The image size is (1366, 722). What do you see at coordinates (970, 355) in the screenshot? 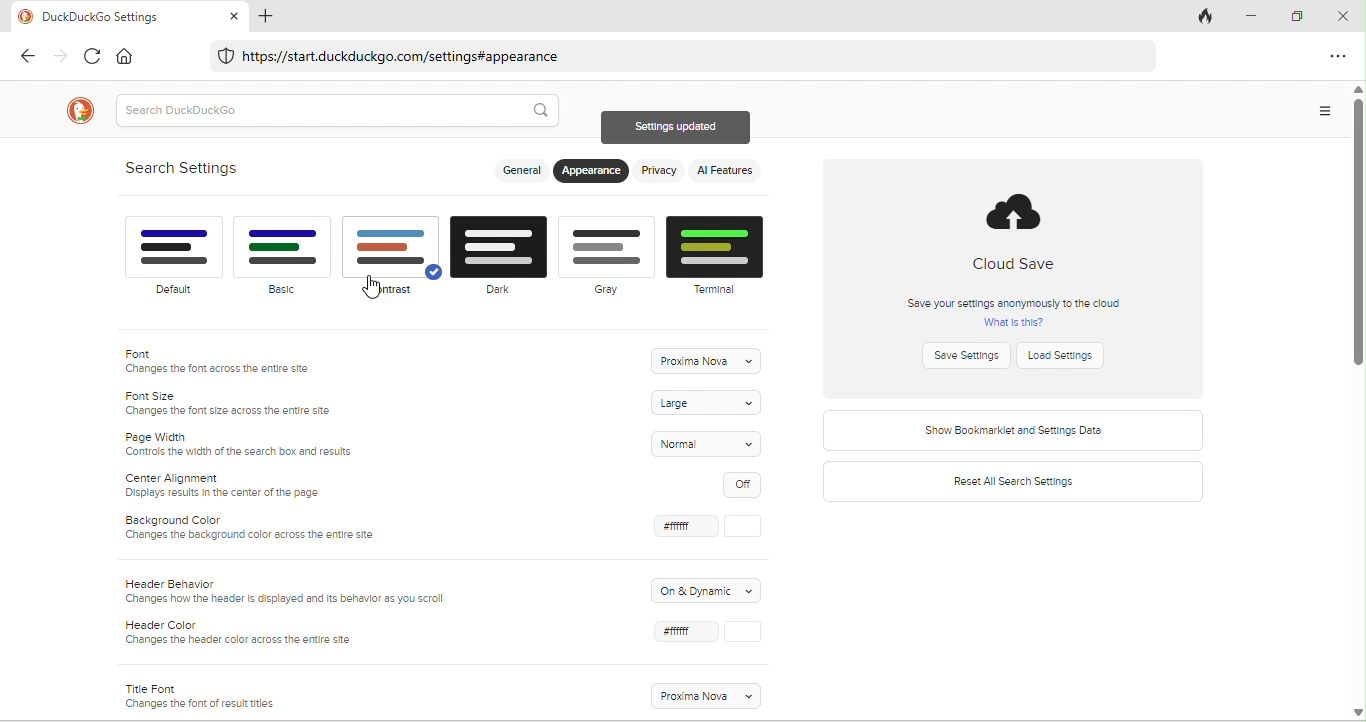
I see `save settings` at bounding box center [970, 355].